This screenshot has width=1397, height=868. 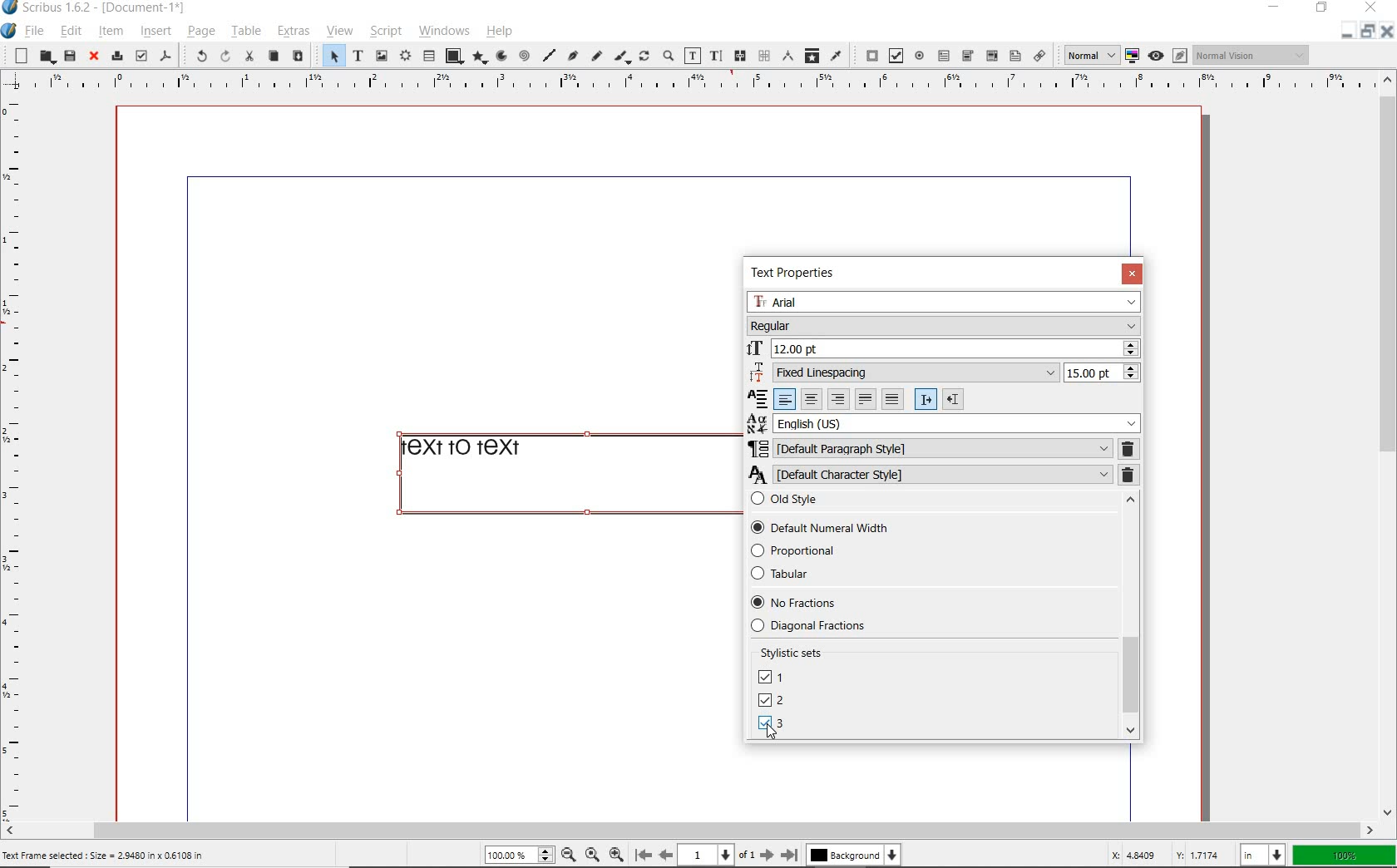 I want to click on save as pdf, so click(x=166, y=57).